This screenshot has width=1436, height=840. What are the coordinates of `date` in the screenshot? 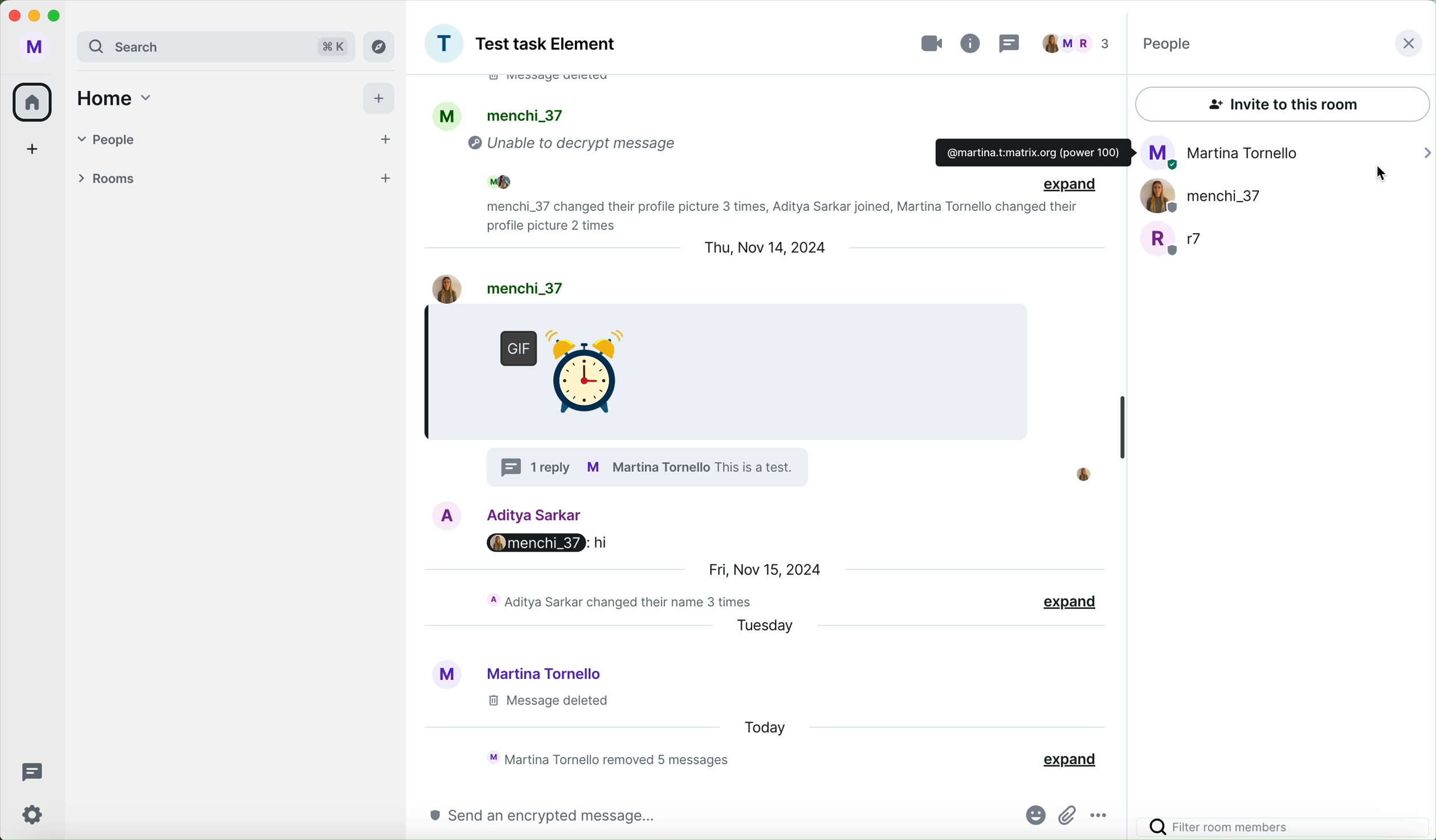 It's located at (763, 569).